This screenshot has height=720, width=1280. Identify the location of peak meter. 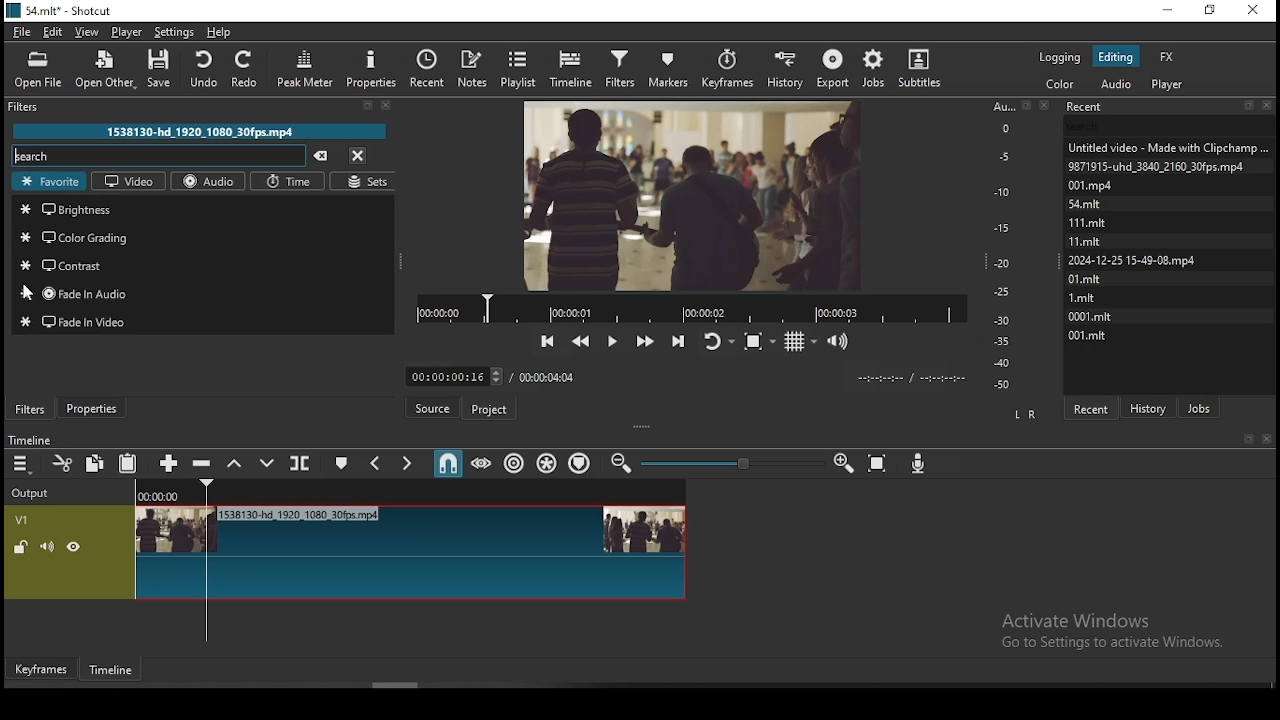
(307, 73).